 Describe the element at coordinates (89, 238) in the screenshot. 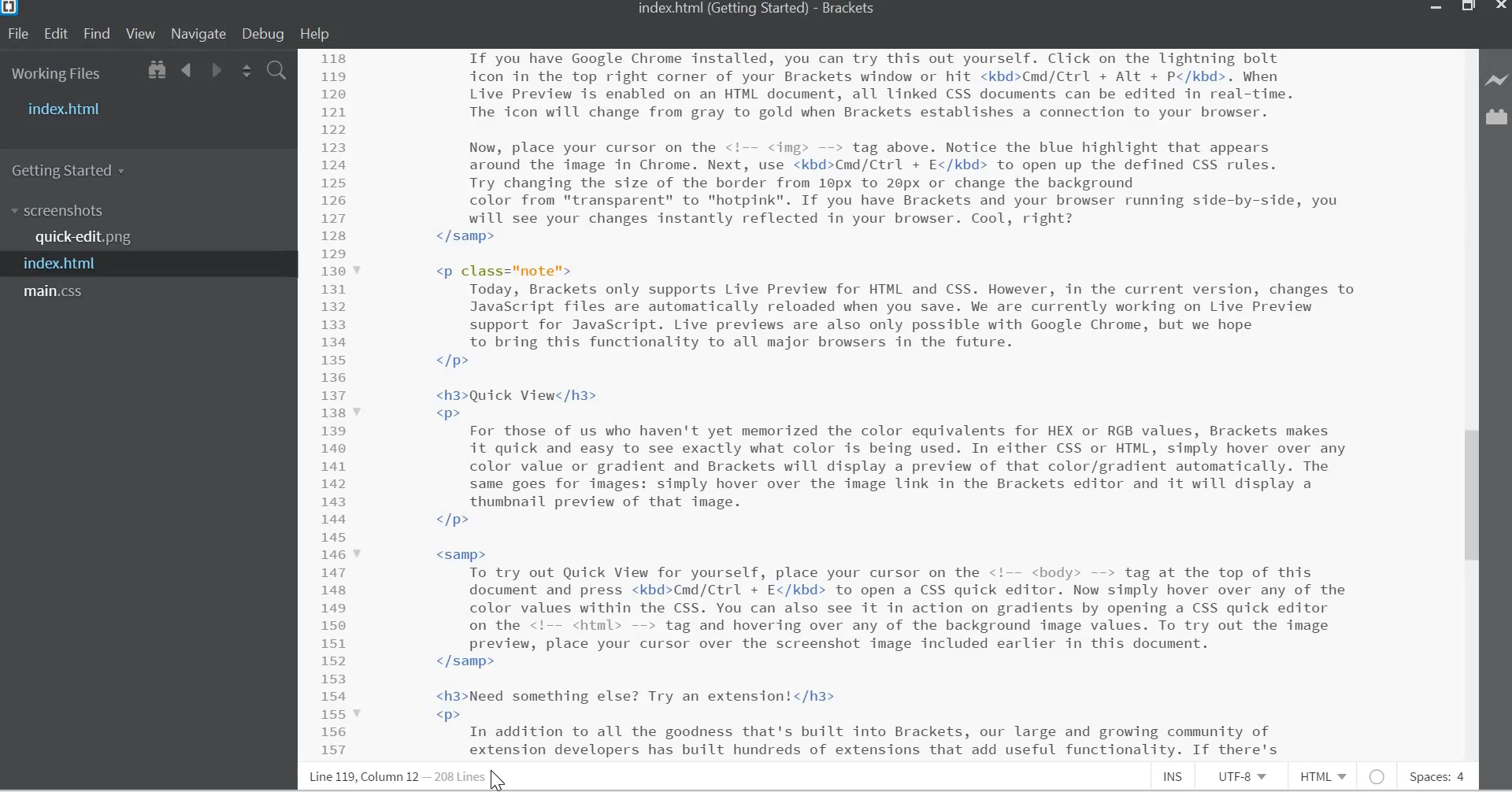

I see `quick-edit.png file name` at that location.